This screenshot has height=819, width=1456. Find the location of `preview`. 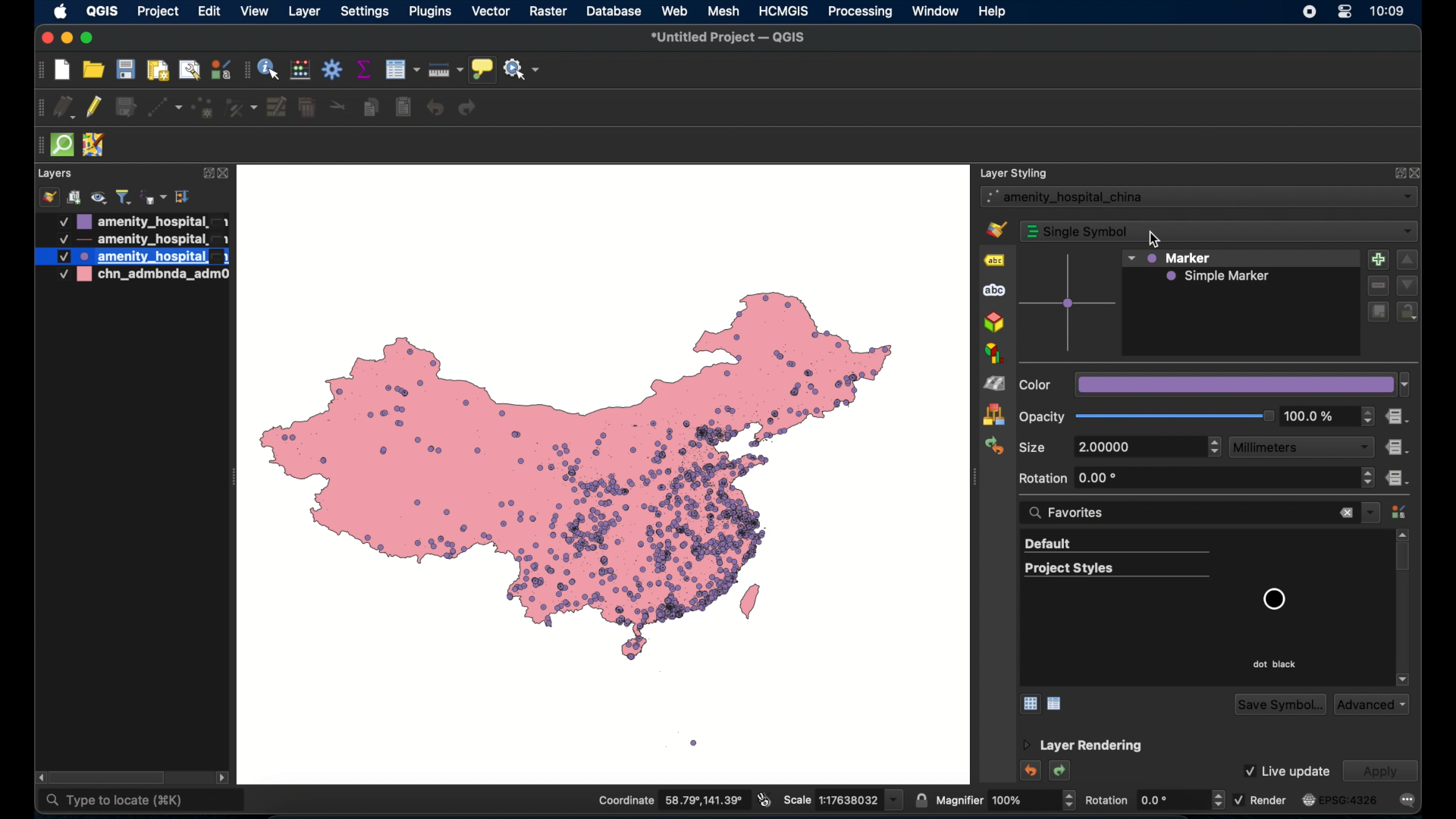

preview is located at coordinates (1068, 305).